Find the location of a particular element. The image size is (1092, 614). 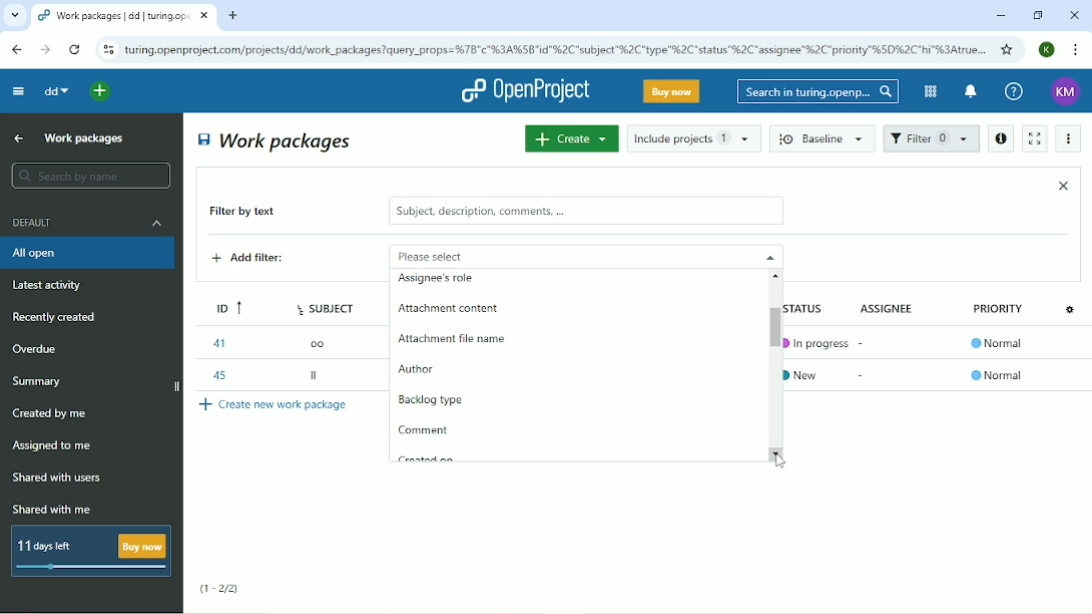

Collapse project menu is located at coordinates (17, 90).